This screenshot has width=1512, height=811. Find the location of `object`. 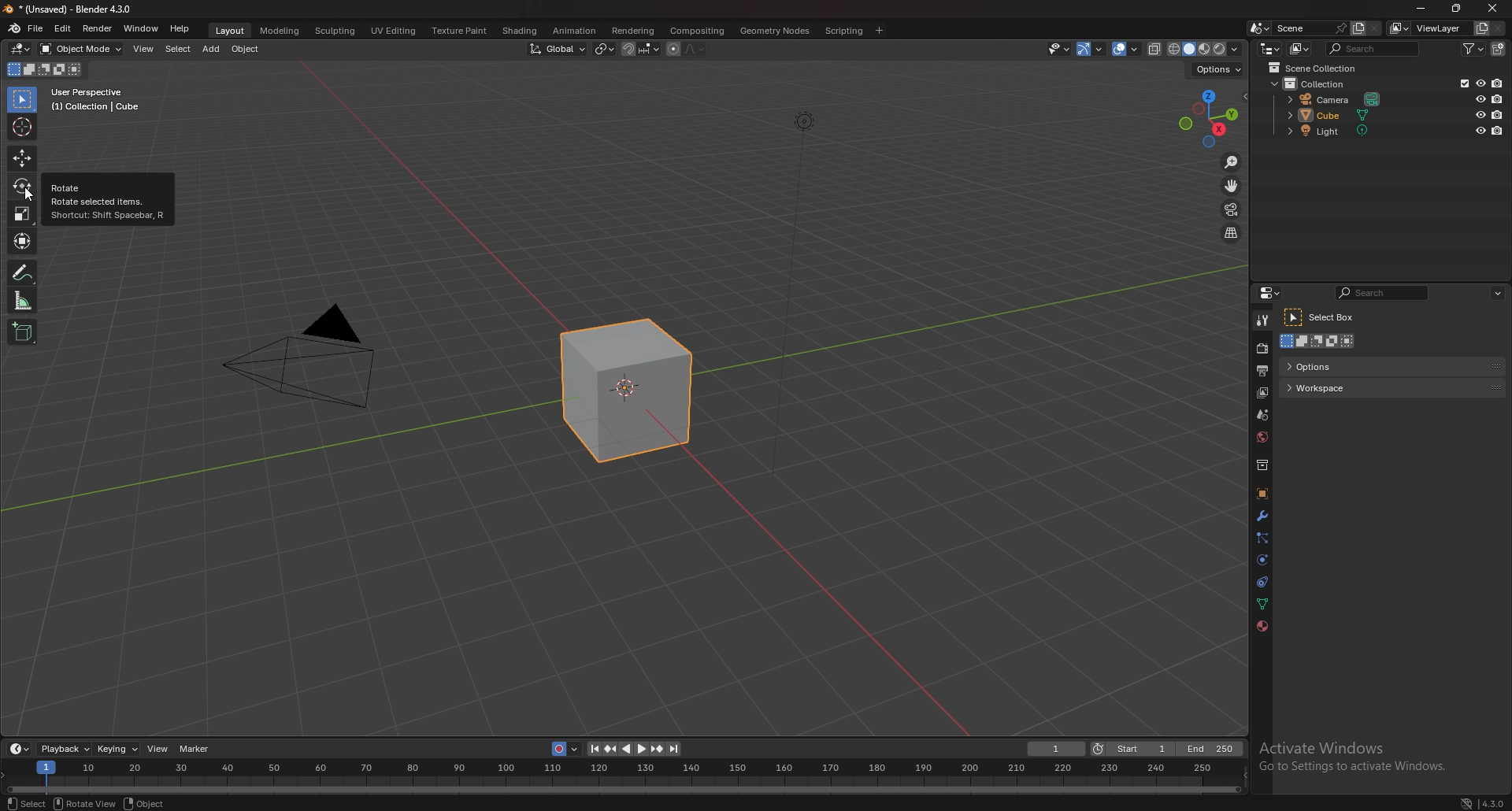

object is located at coordinates (145, 803).